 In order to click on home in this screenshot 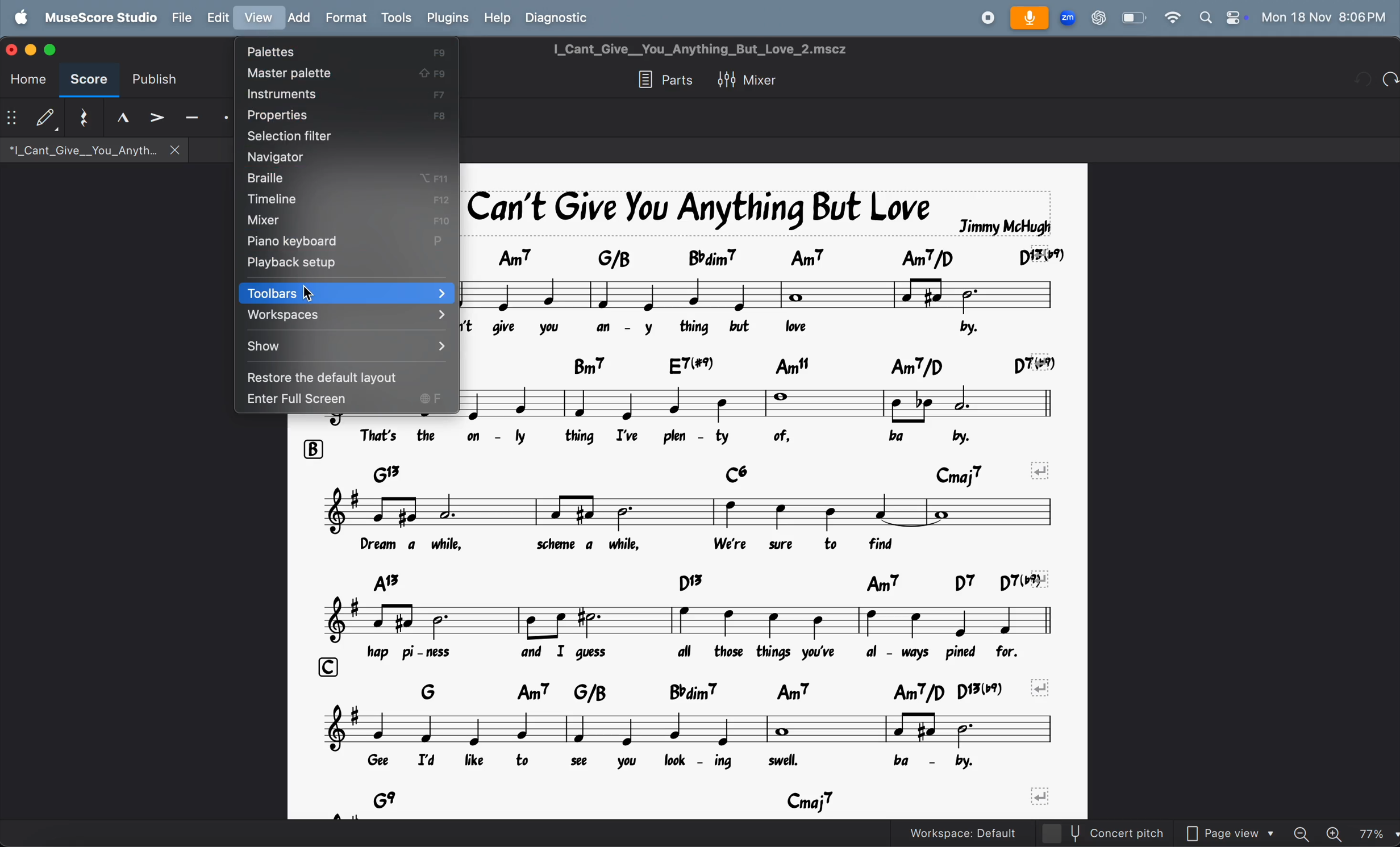, I will do `click(29, 81)`.